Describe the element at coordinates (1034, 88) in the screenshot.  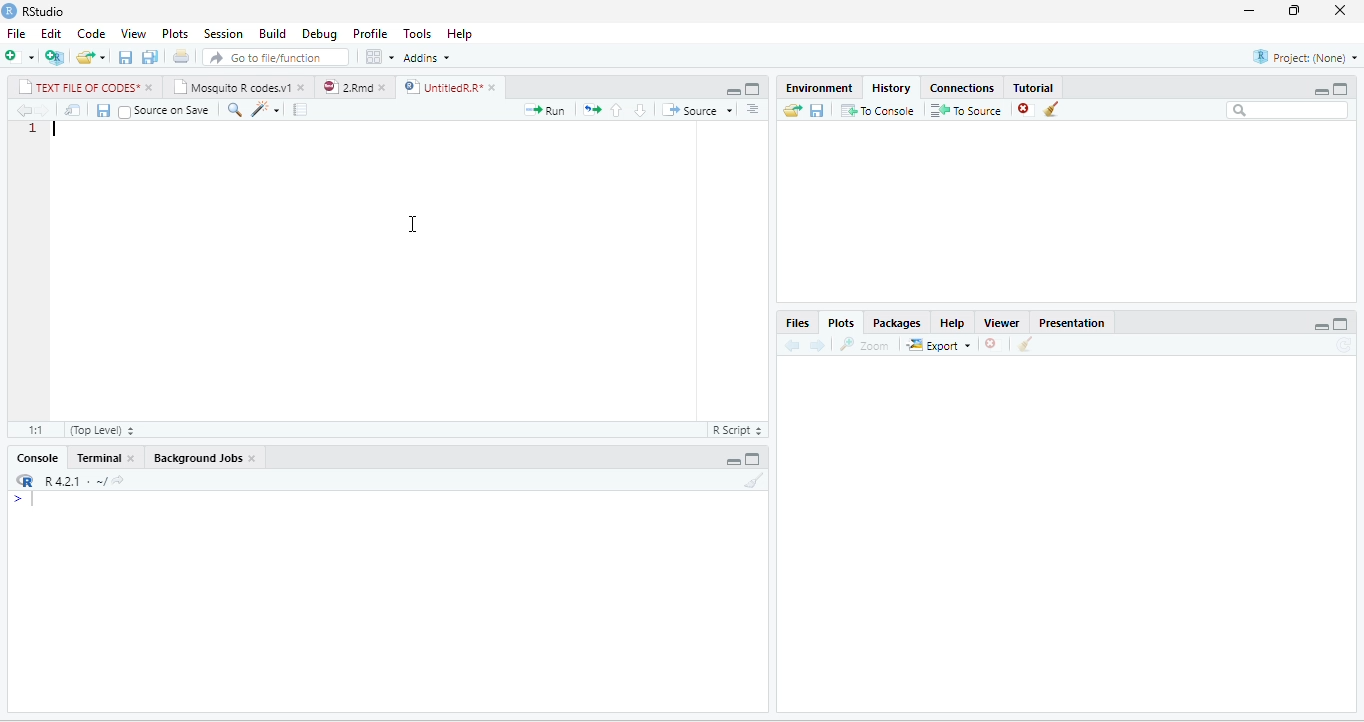
I see `Tutorial` at that location.